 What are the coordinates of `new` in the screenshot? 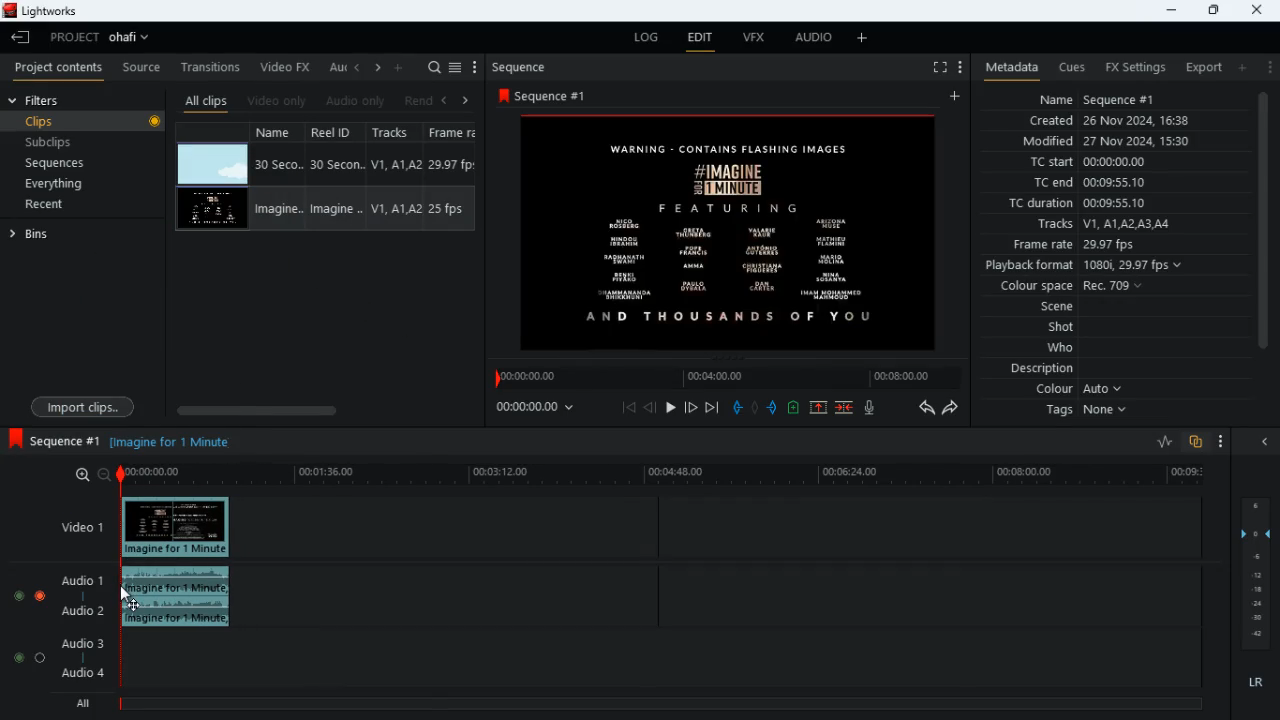 It's located at (796, 410).